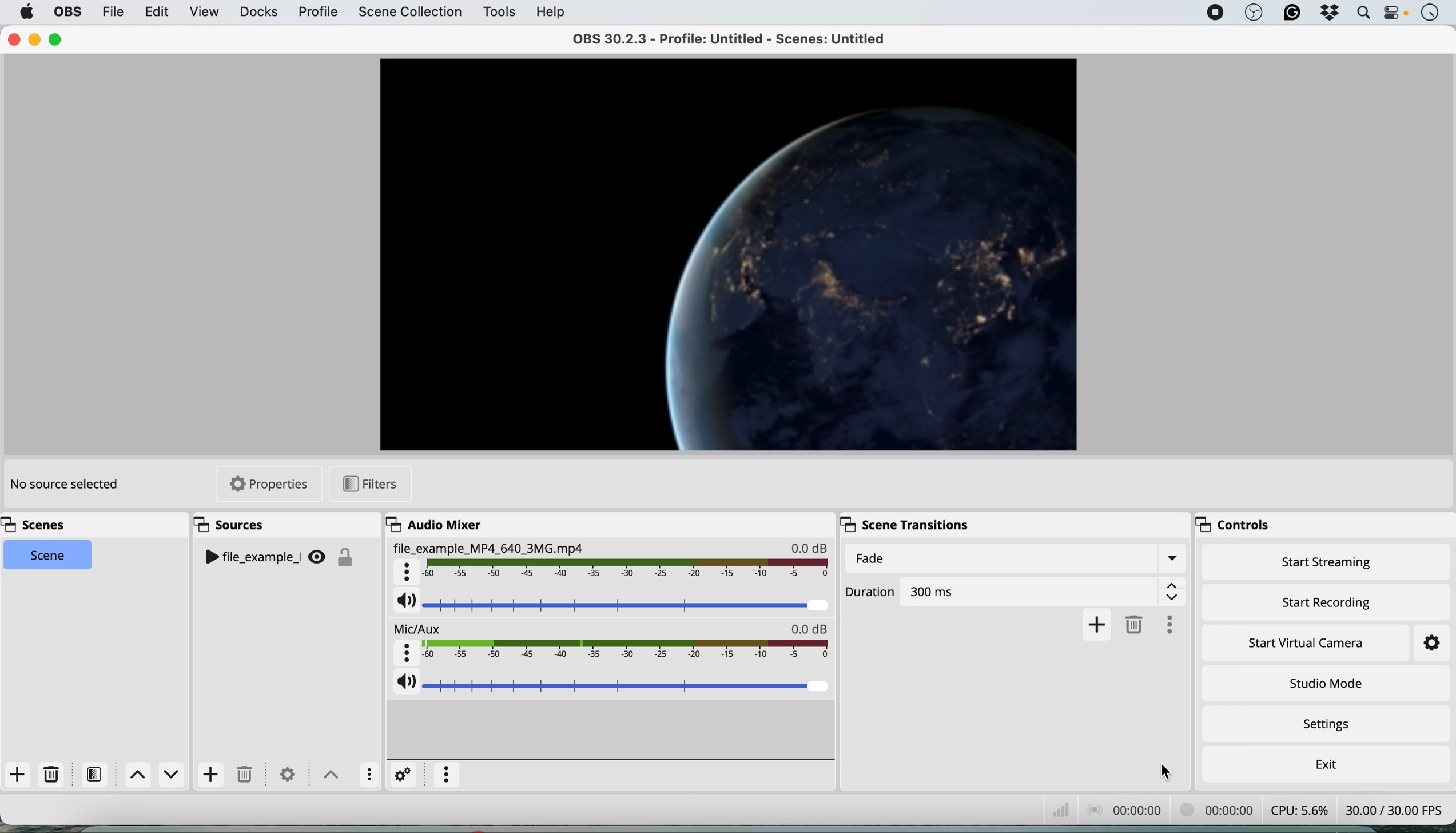 This screenshot has height=833, width=1456. I want to click on scenes, so click(39, 525).